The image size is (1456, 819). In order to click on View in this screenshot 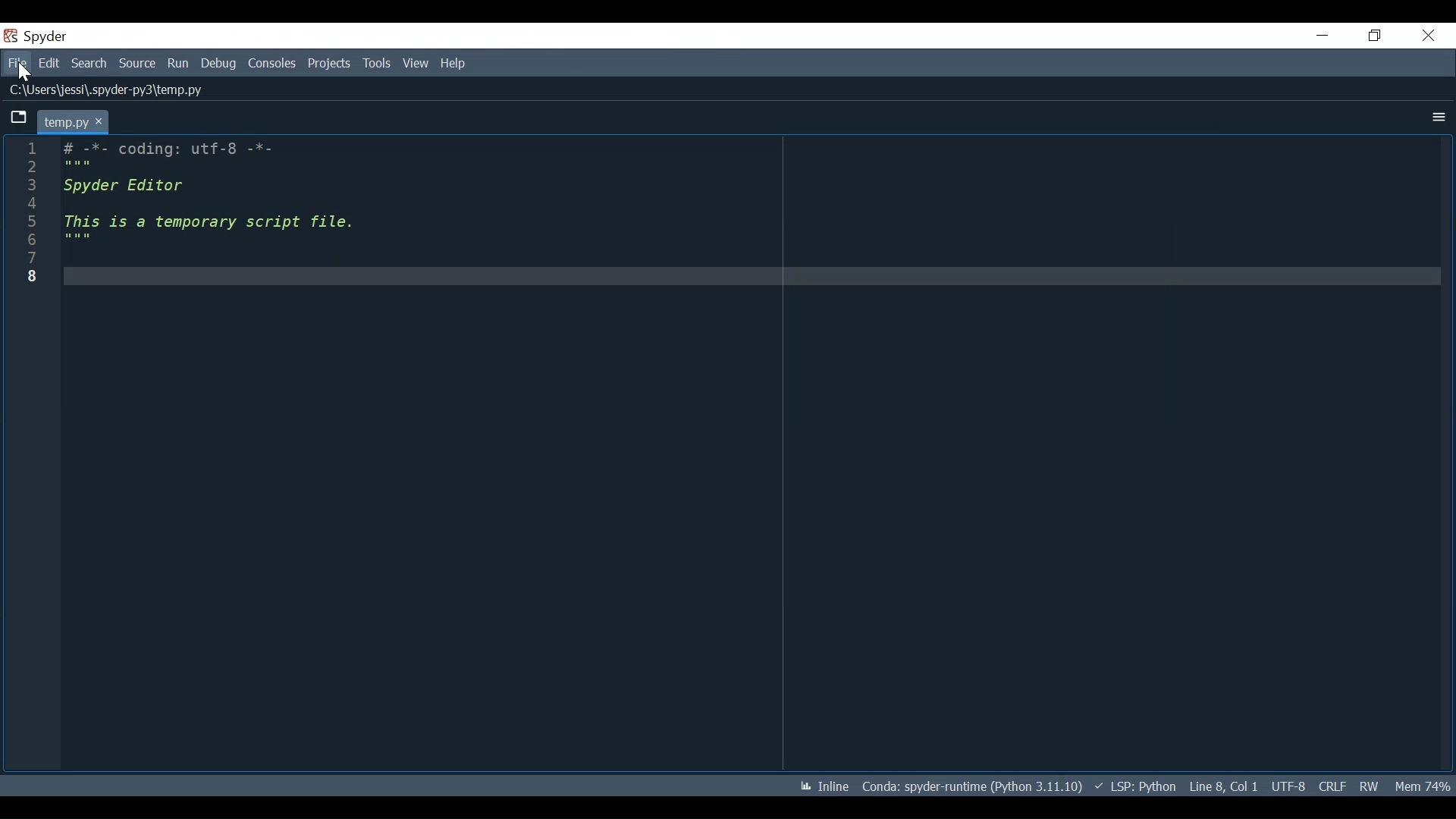, I will do `click(419, 63)`.